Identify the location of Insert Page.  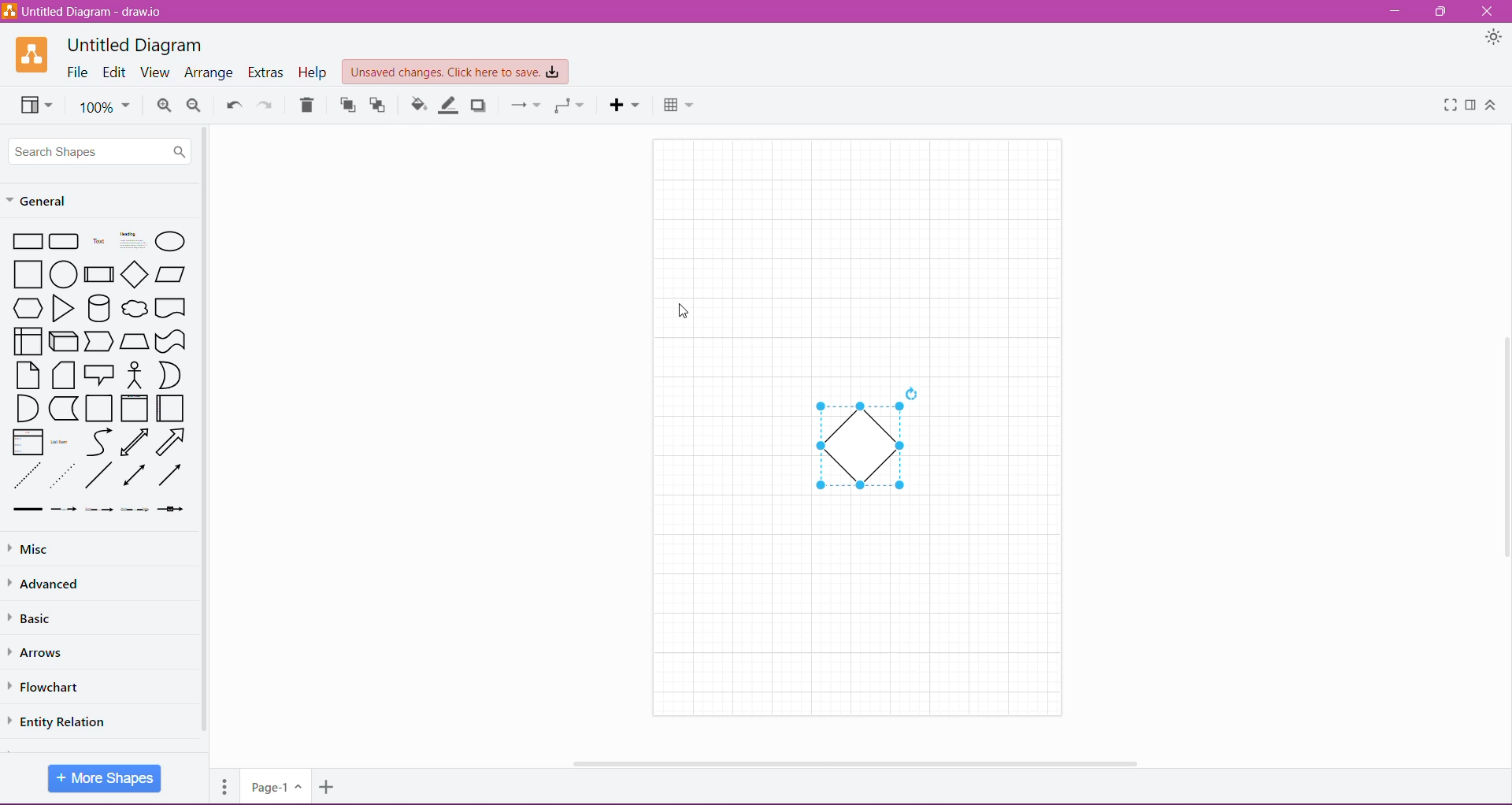
(326, 788).